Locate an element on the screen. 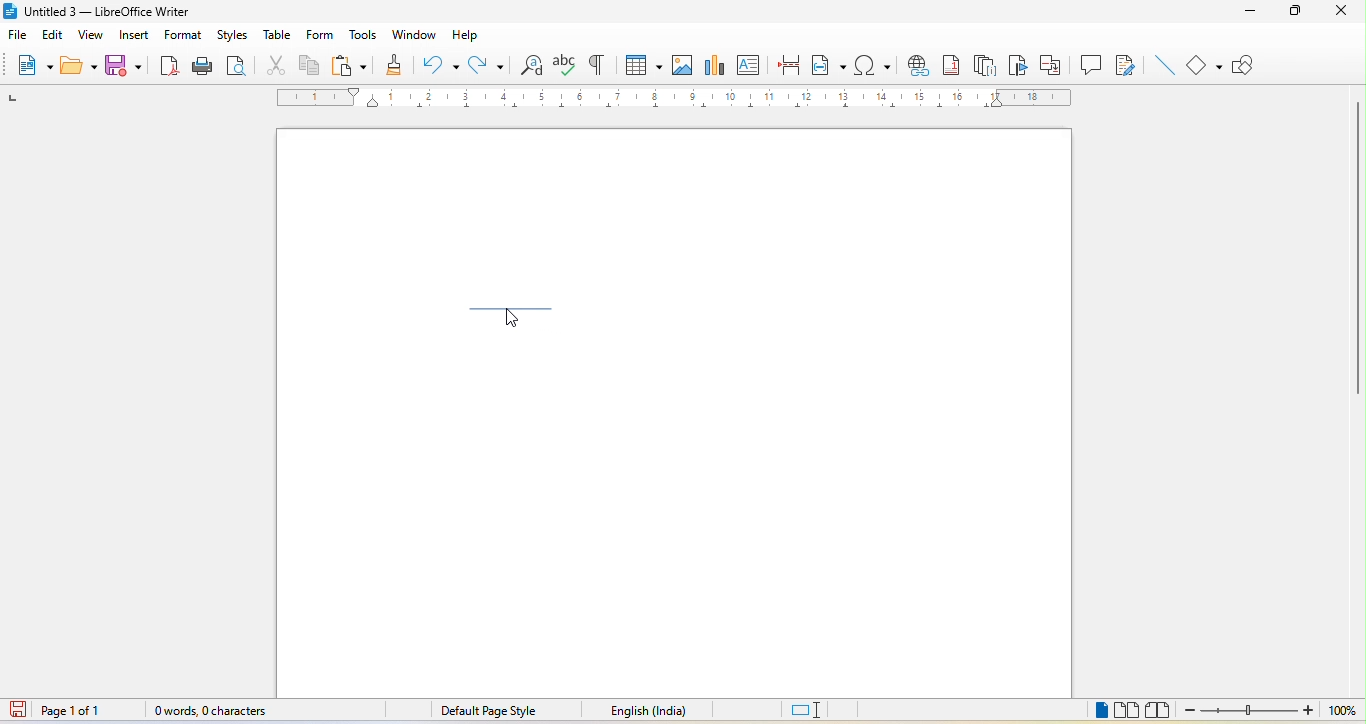 The height and width of the screenshot is (724, 1366). insert is located at coordinates (135, 38).